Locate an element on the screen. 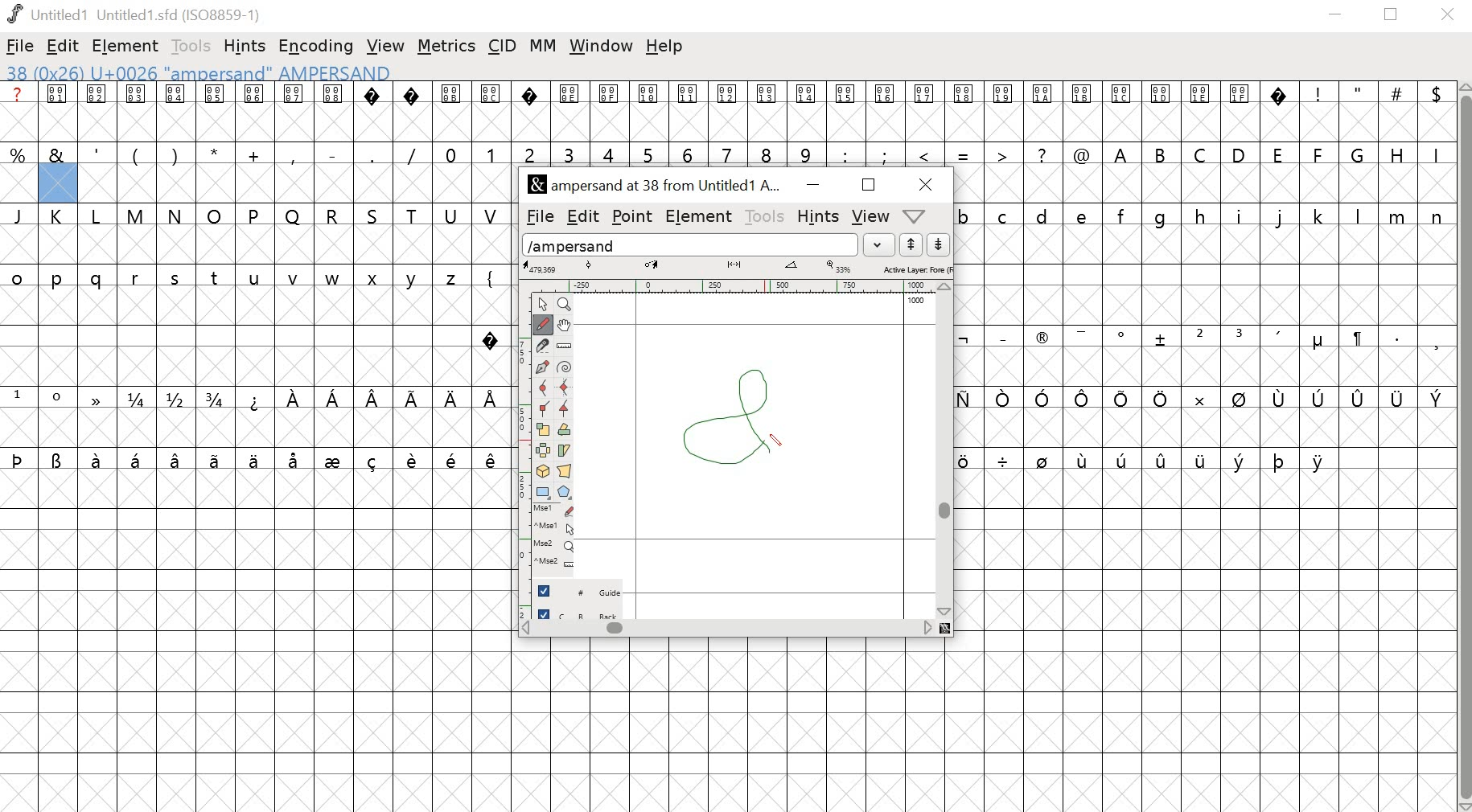  Untitled 1 Untitled1.shd (ISO8859-1) is located at coordinates (133, 13).